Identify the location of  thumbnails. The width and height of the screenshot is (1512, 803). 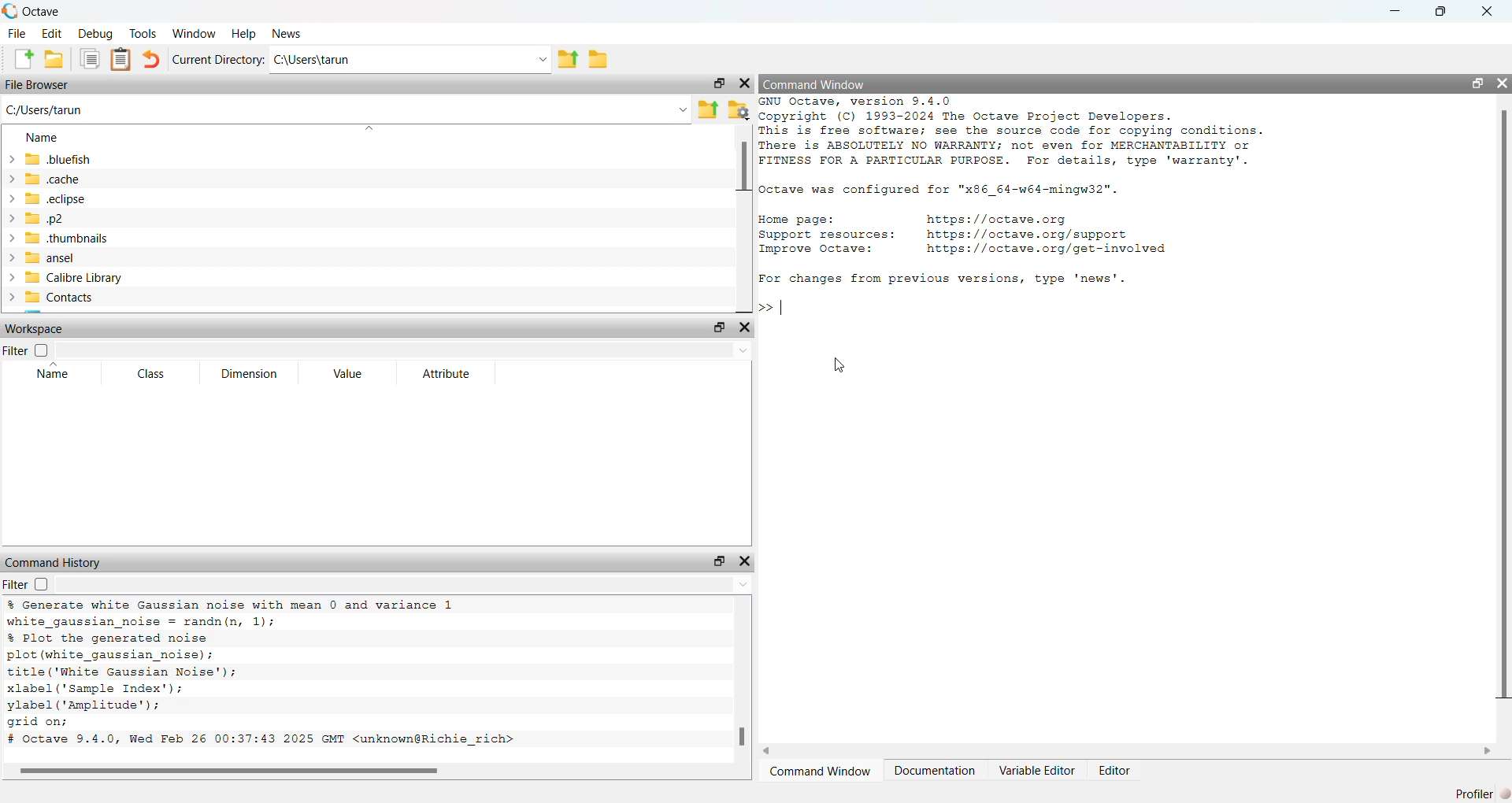
(64, 238).